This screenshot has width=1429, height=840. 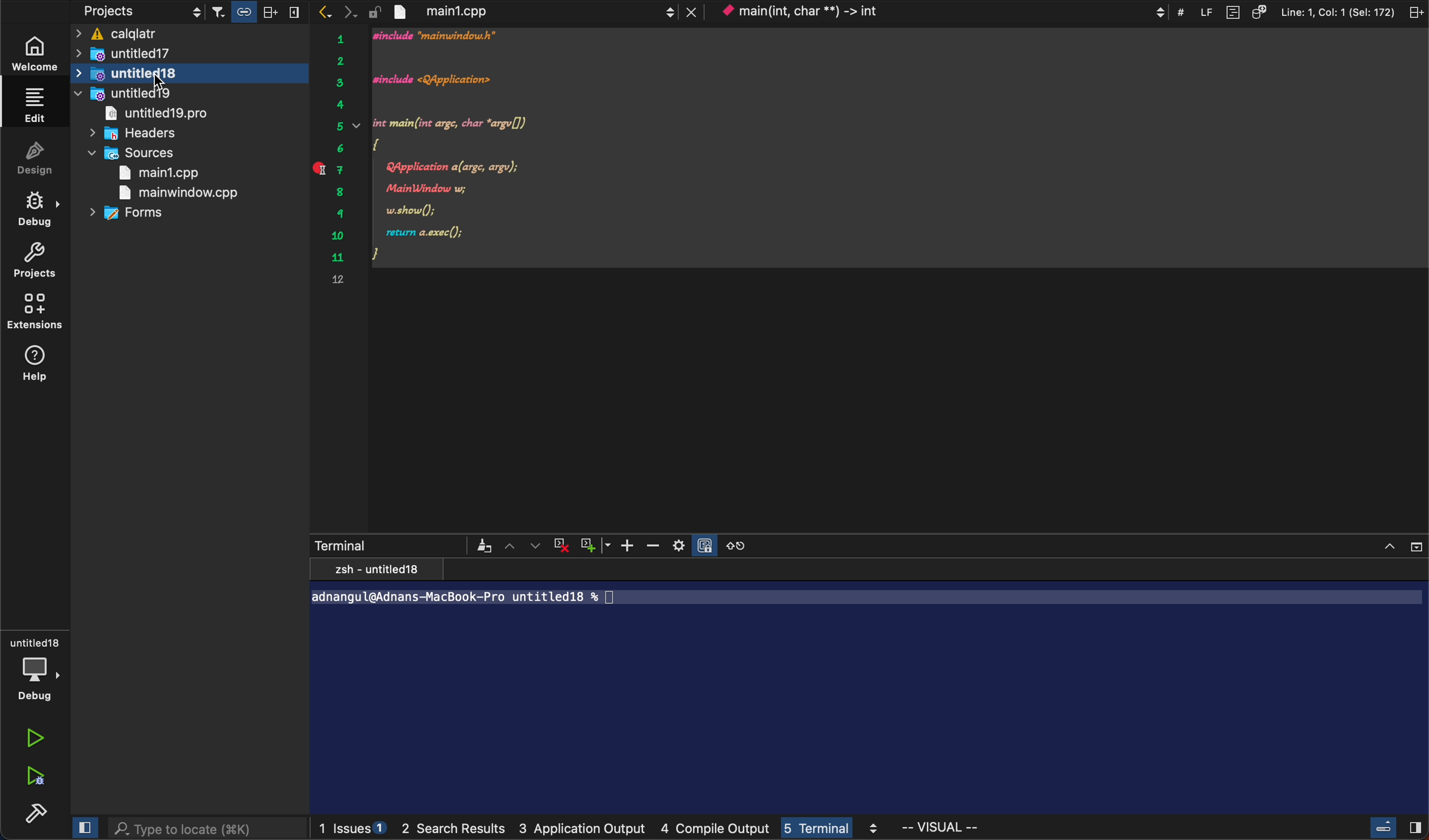 What do you see at coordinates (34, 260) in the screenshot?
I see `project` at bounding box center [34, 260].